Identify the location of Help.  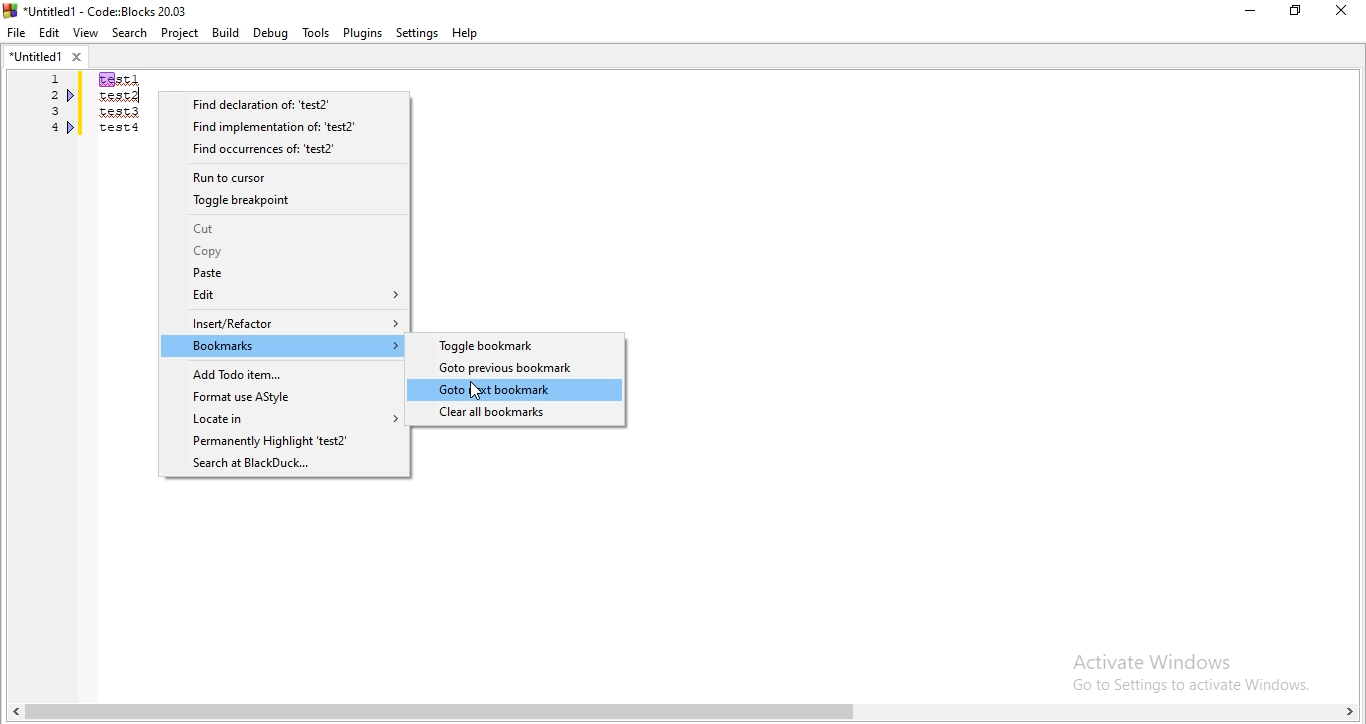
(469, 35).